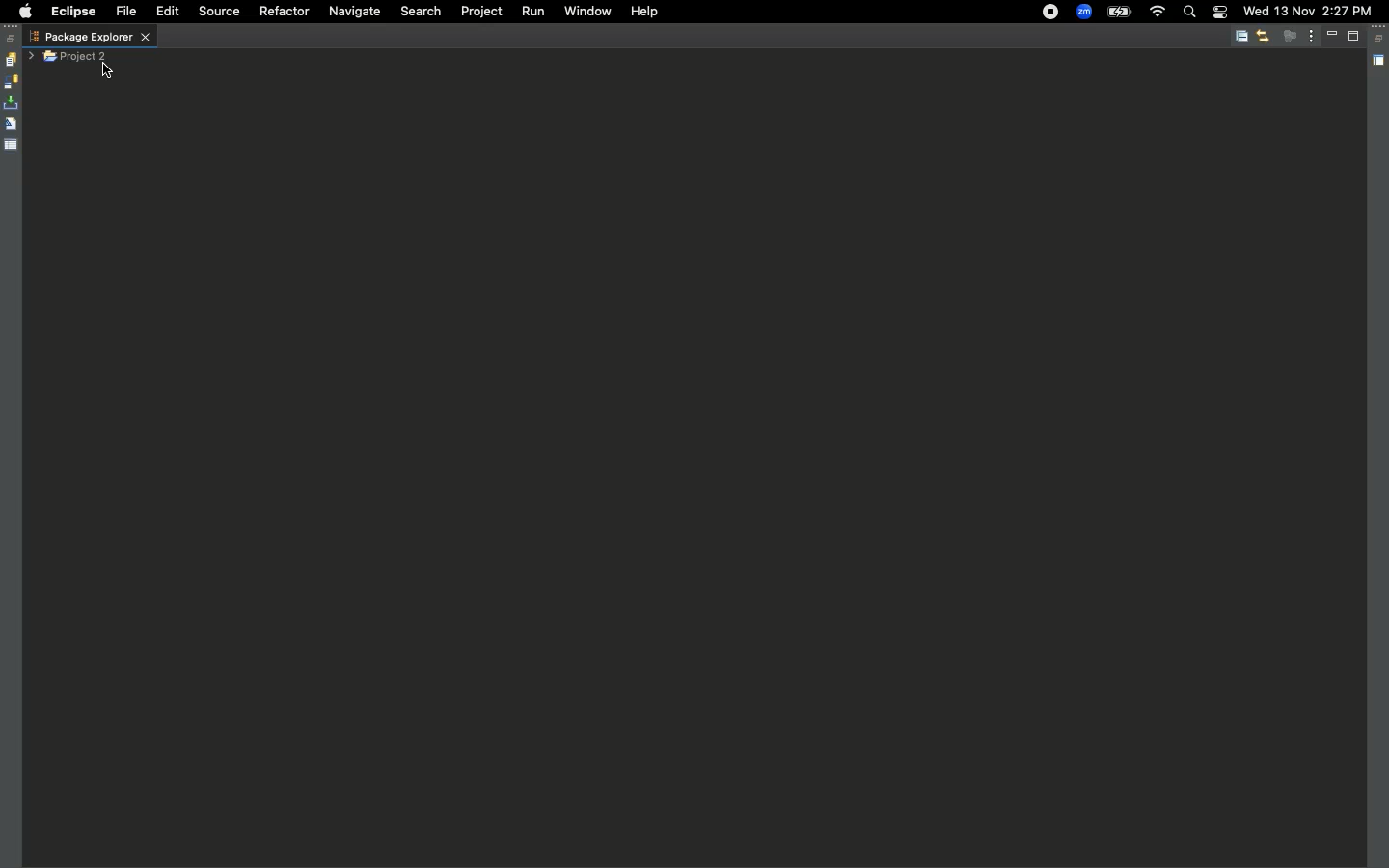 This screenshot has width=1389, height=868. Describe the element at coordinates (12, 39) in the screenshot. I see `Restore` at that location.